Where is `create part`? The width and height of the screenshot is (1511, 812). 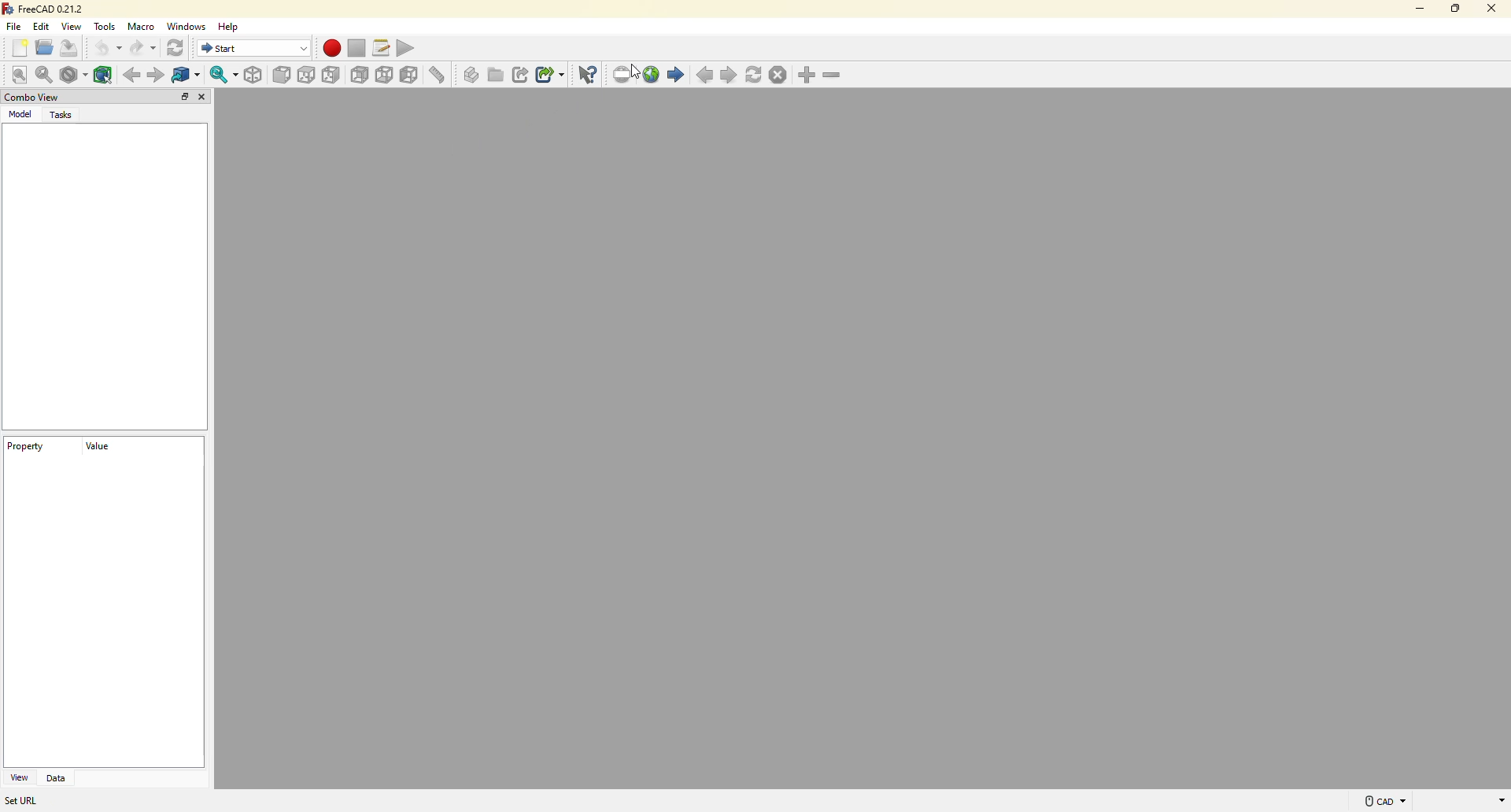 create part is located at coordinates (471, 74).